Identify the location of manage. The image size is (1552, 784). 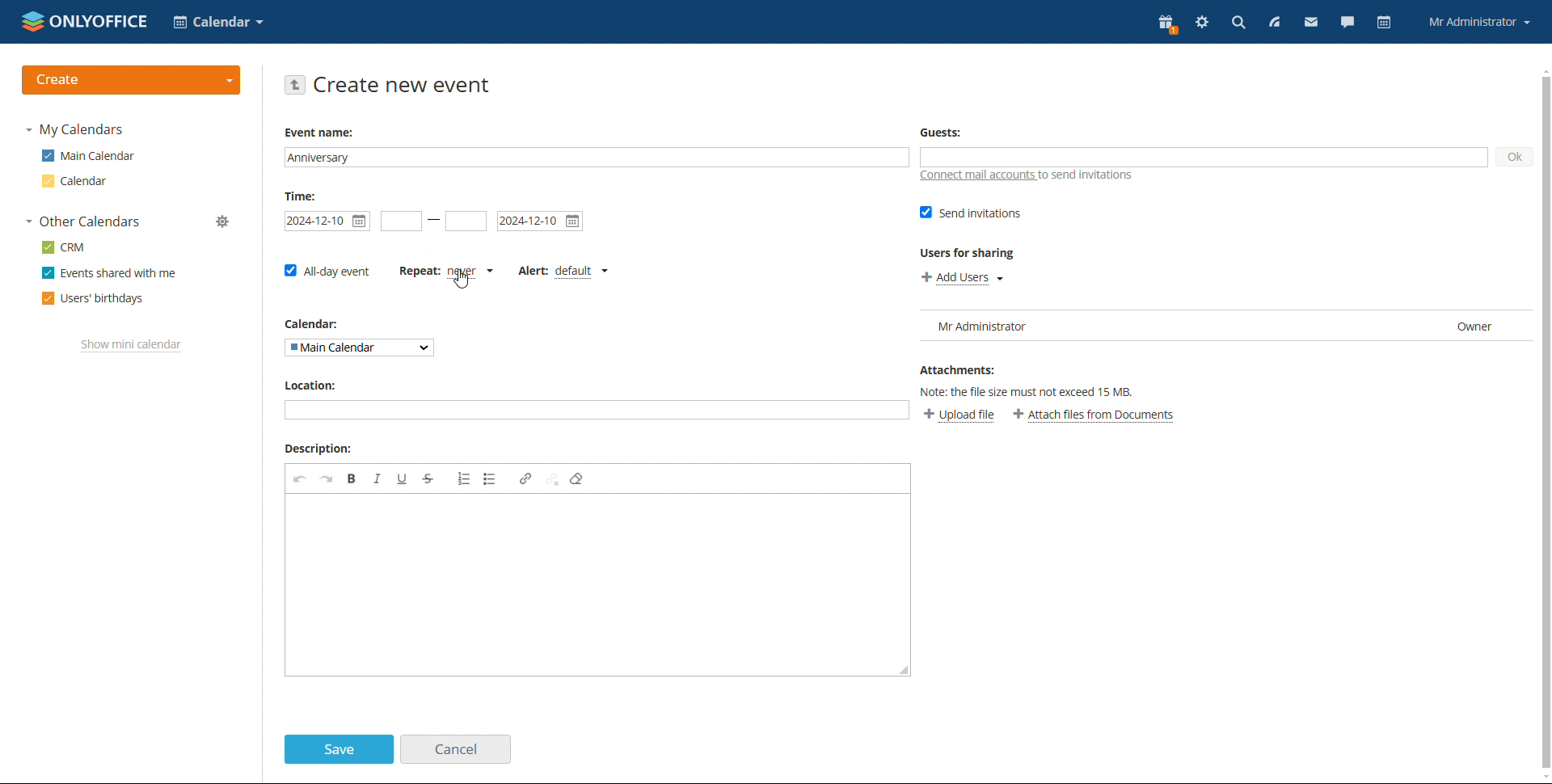
(223, 221).